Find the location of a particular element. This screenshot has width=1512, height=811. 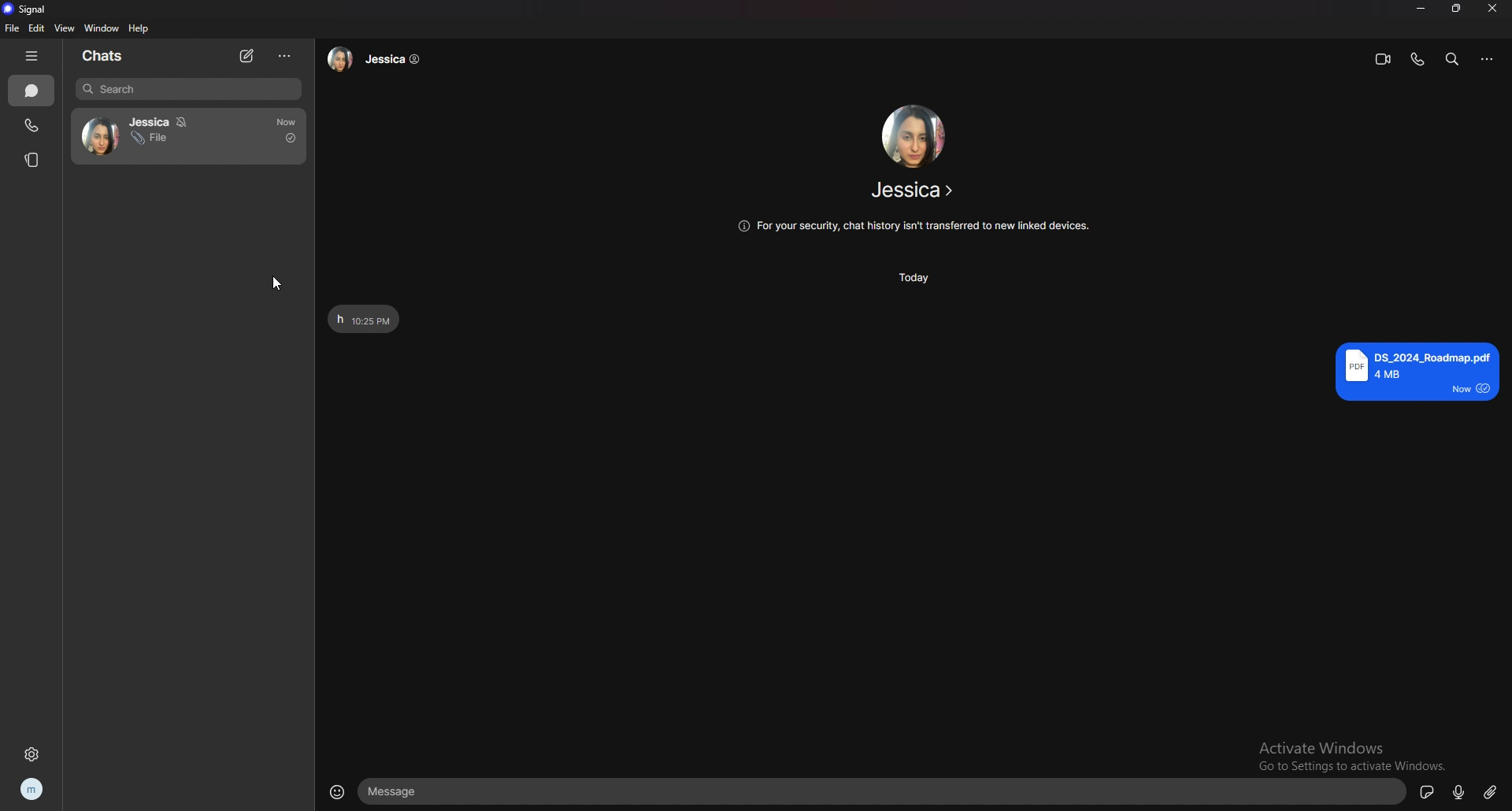

stories is located at coordinates (32, 160).